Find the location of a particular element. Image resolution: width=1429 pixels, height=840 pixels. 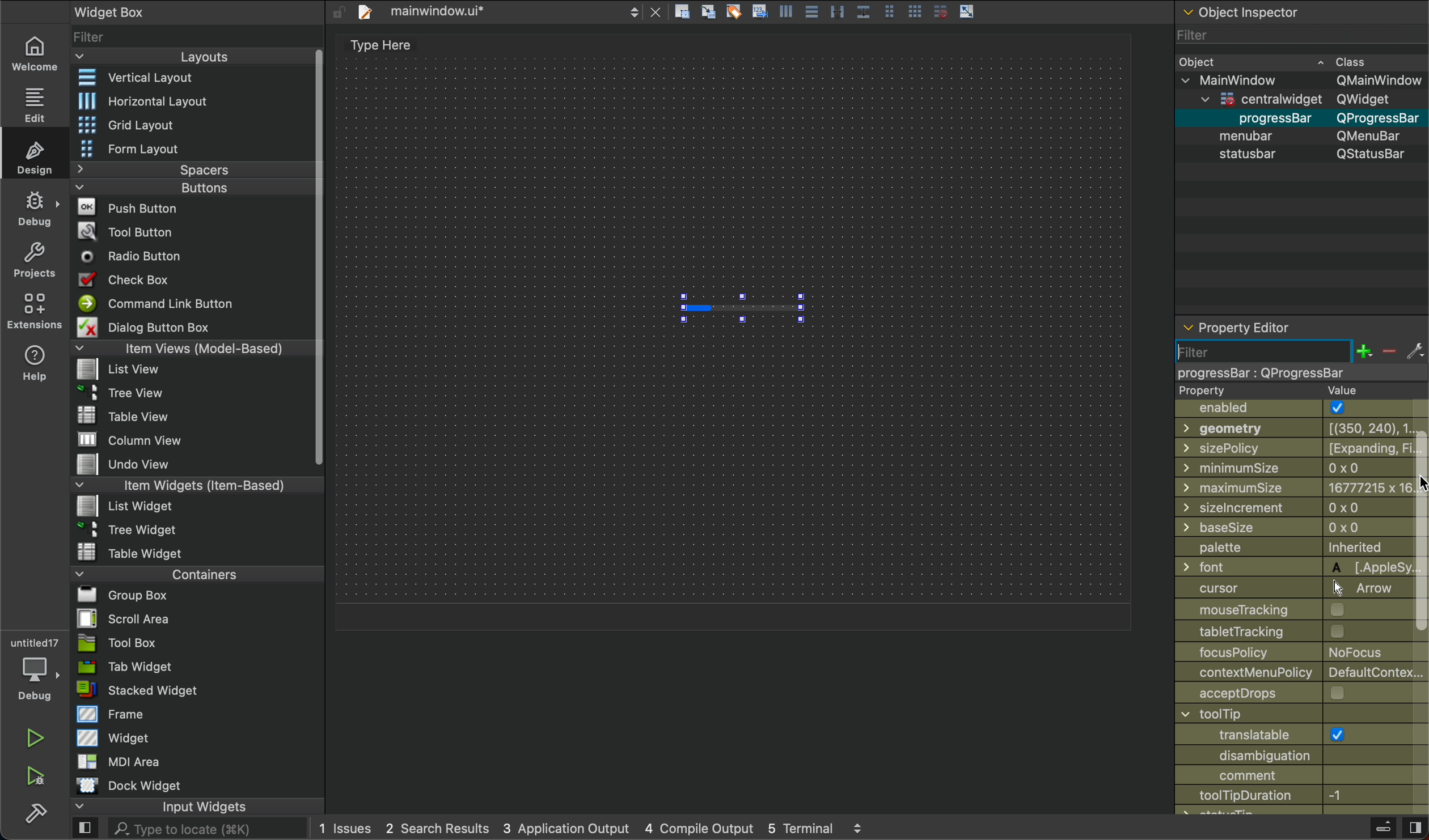

File is located at coordinates (133, 440).